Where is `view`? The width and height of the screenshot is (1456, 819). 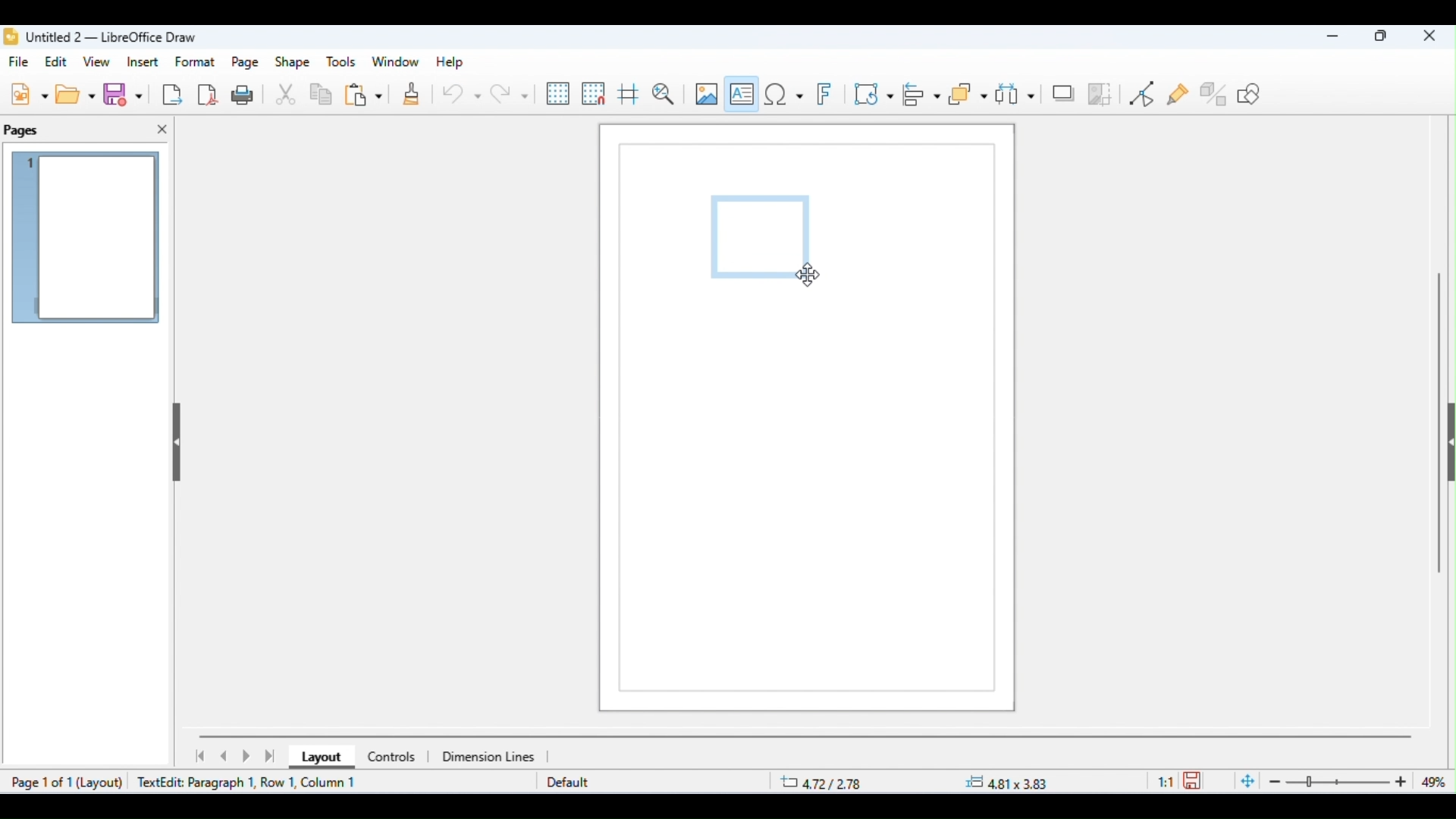
view is located at coordinates (99, 63).